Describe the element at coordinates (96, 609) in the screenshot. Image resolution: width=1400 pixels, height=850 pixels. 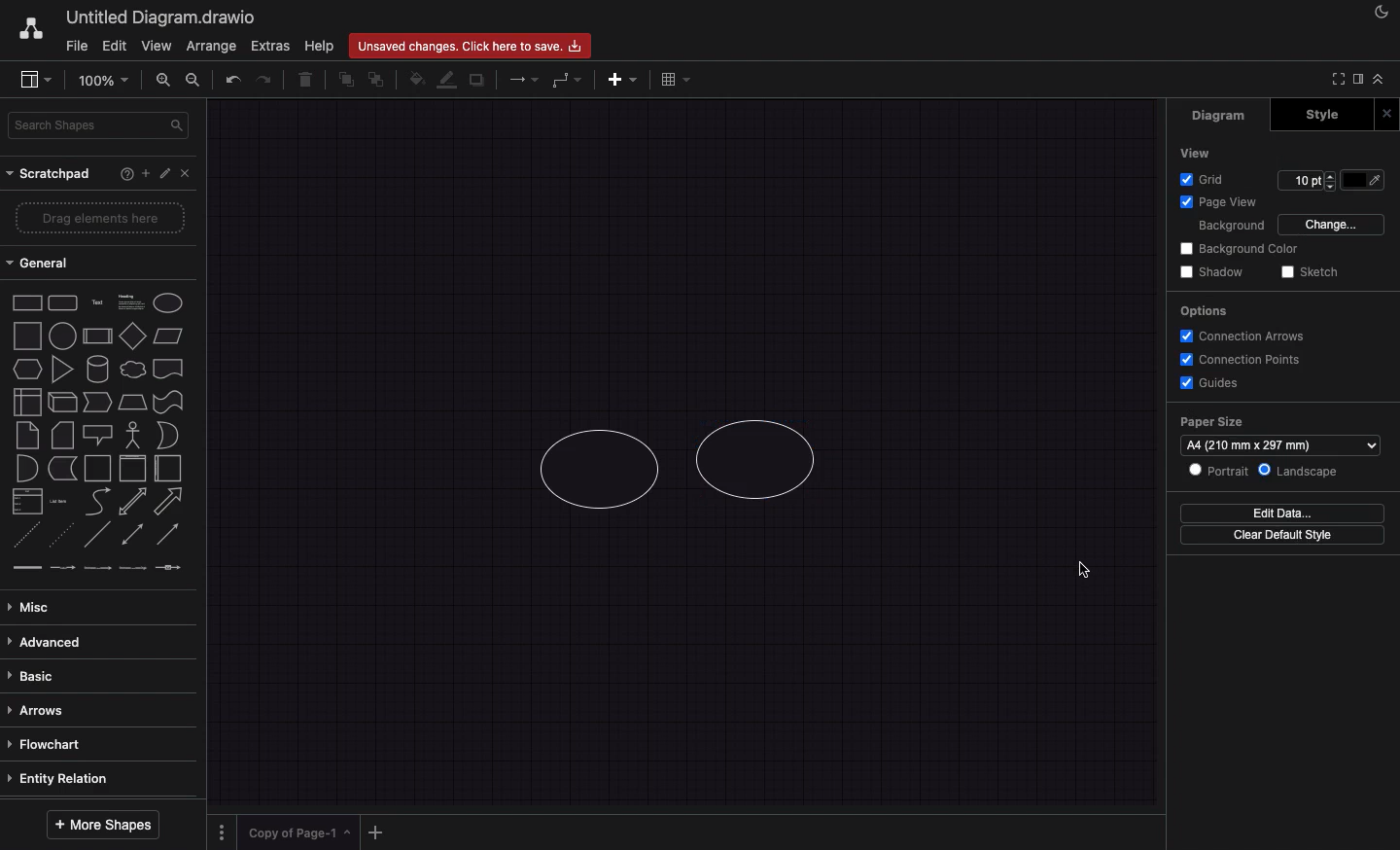
I see `misc` at that location.